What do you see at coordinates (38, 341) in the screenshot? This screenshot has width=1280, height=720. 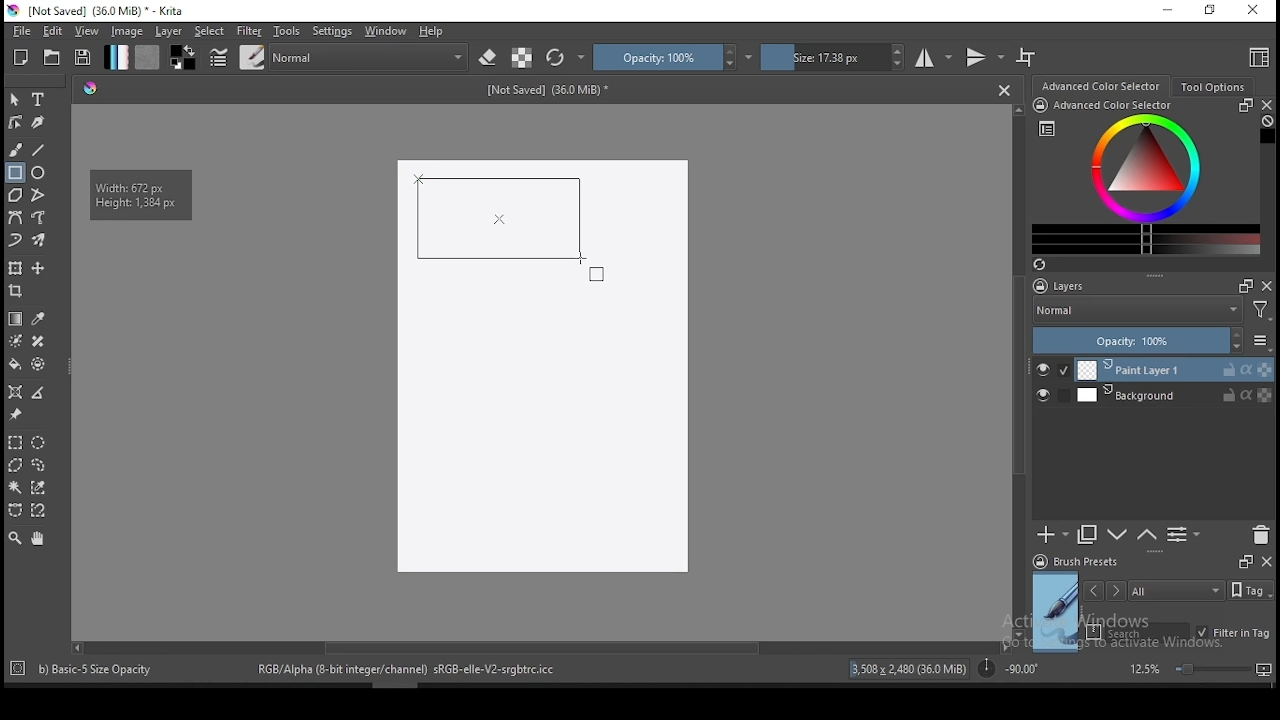 I see `smart patch tool` at bounding box center [38, 341].